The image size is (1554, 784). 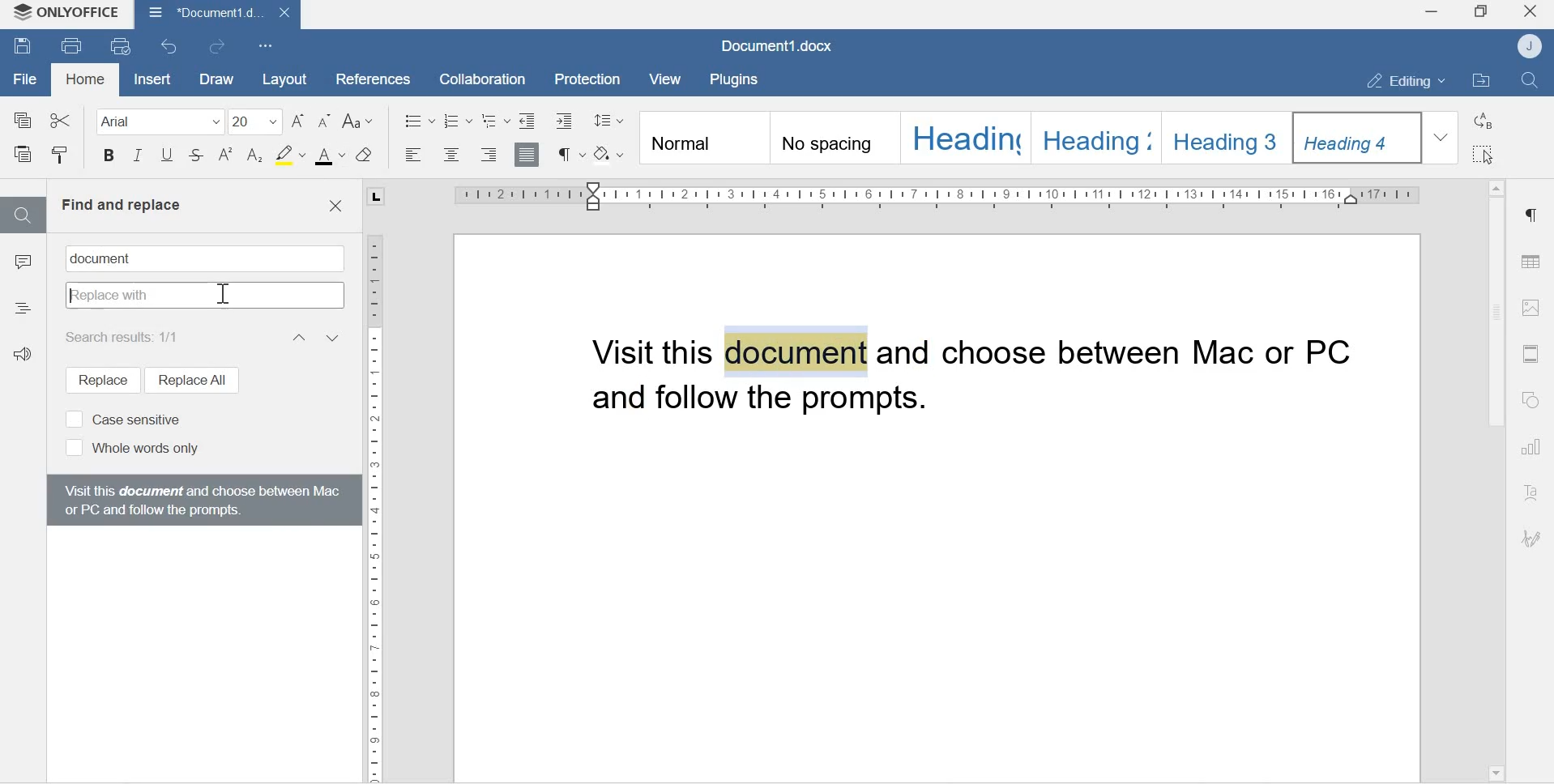 What do you see at coordinates (86, 81) in the screenshot?
I see `Homd` at bounding box center [86, 81].